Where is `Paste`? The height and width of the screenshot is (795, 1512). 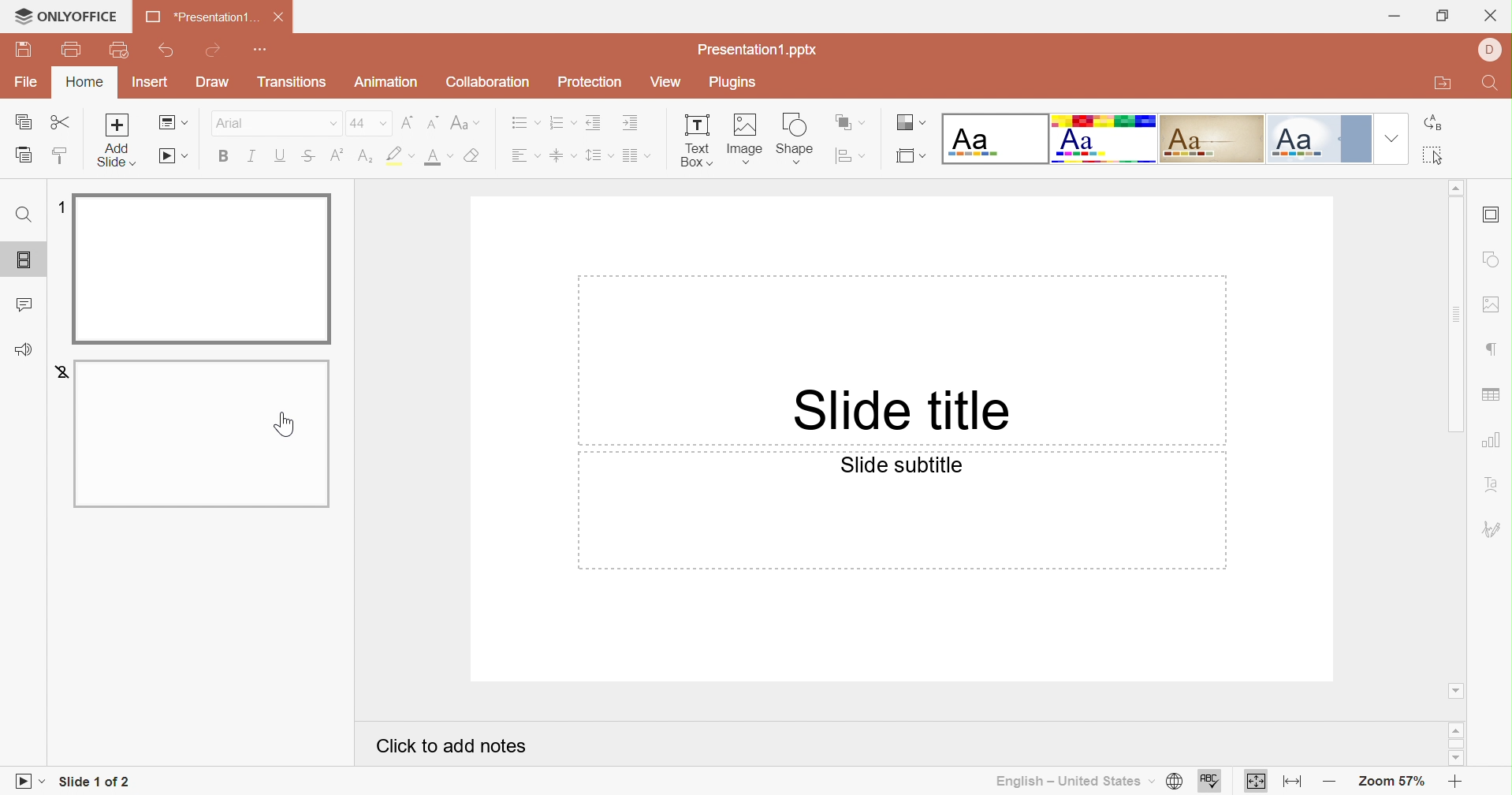
Paste is located at coordinates (26, 155).